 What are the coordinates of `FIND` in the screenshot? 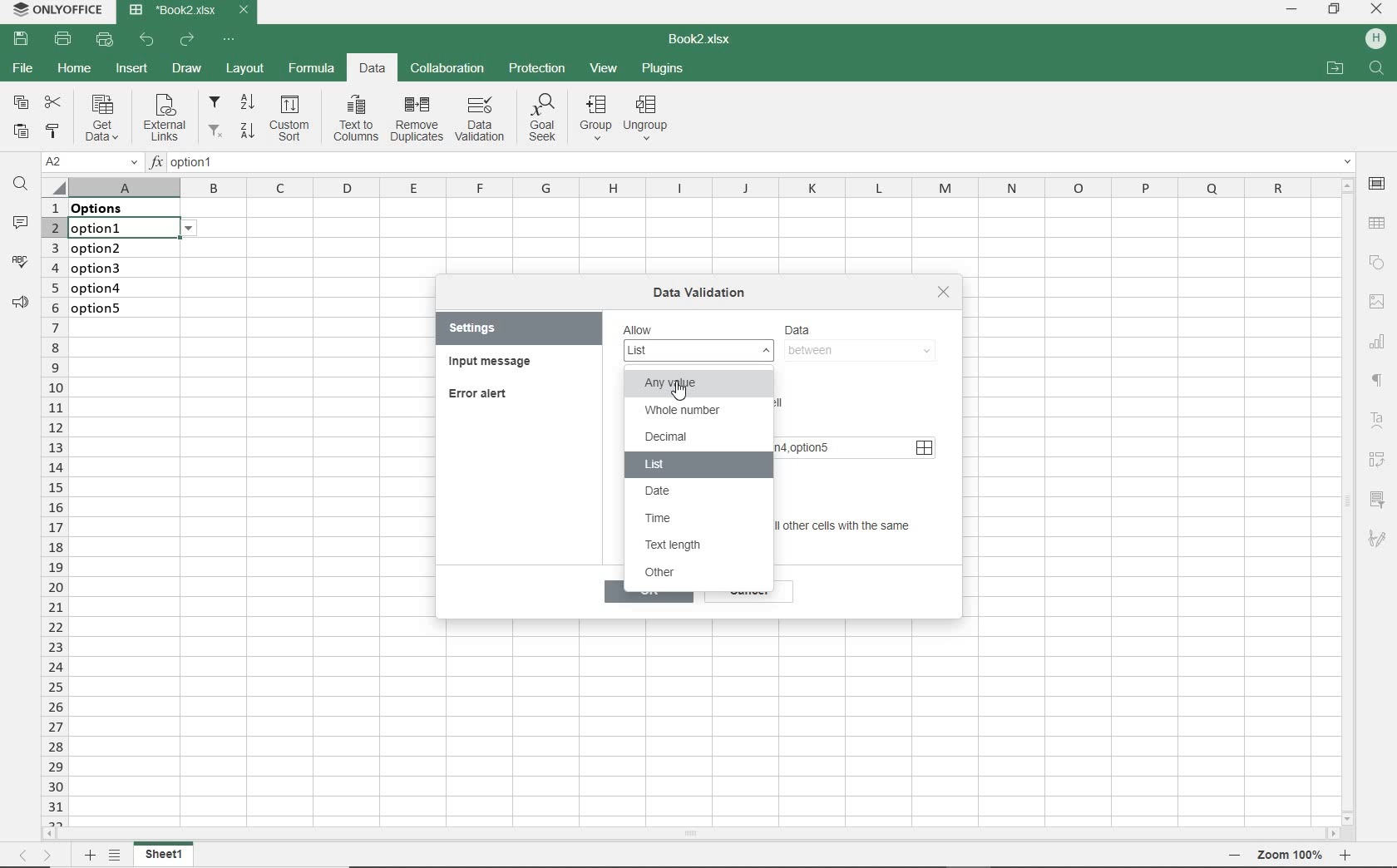 It's located at (19, 184).